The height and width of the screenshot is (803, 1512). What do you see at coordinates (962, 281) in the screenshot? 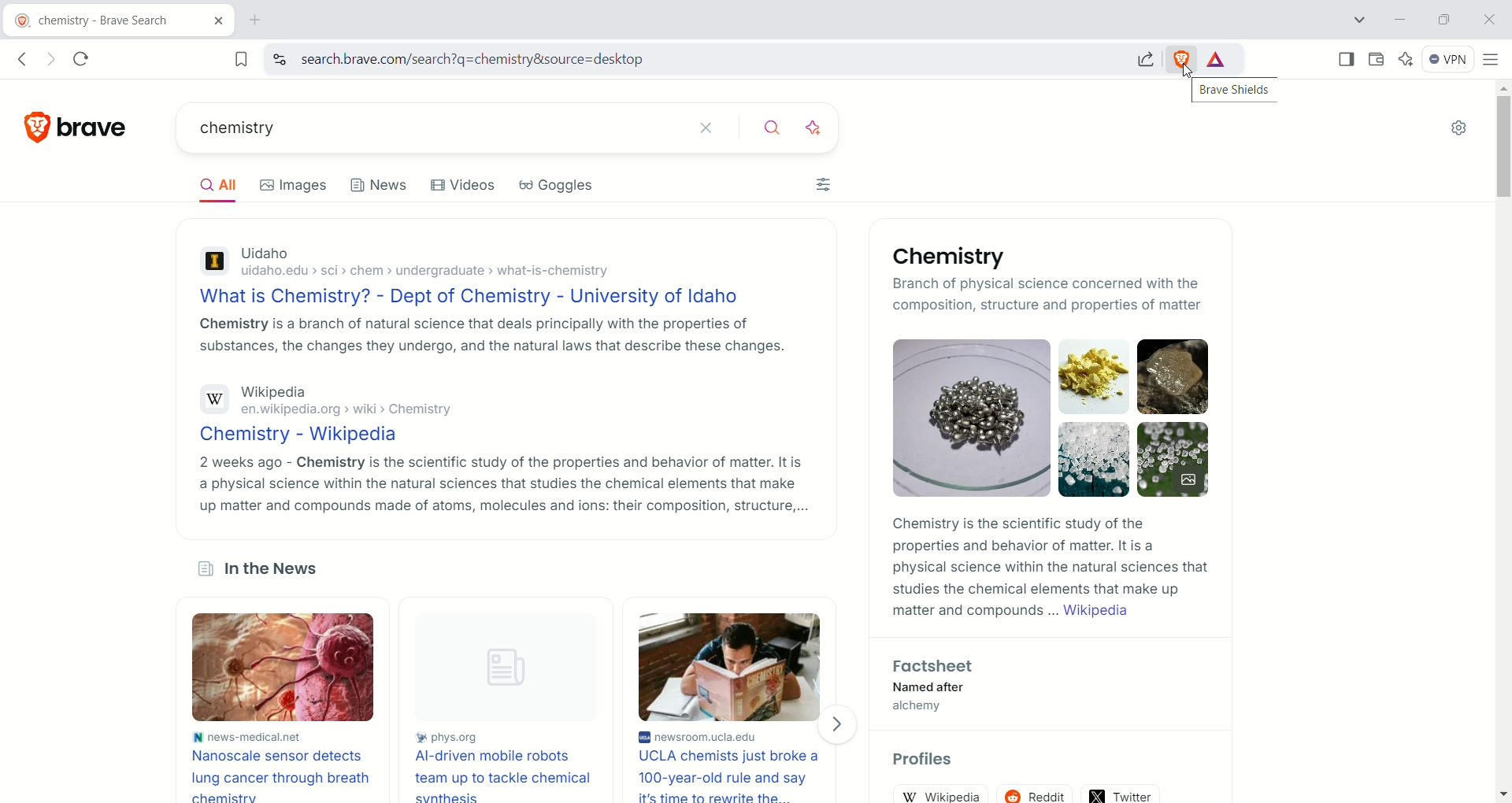
I see `Chemistry: Branch of physical science concerned with the composition, structure, and properties of matter.` at bounding box center [962, 281].